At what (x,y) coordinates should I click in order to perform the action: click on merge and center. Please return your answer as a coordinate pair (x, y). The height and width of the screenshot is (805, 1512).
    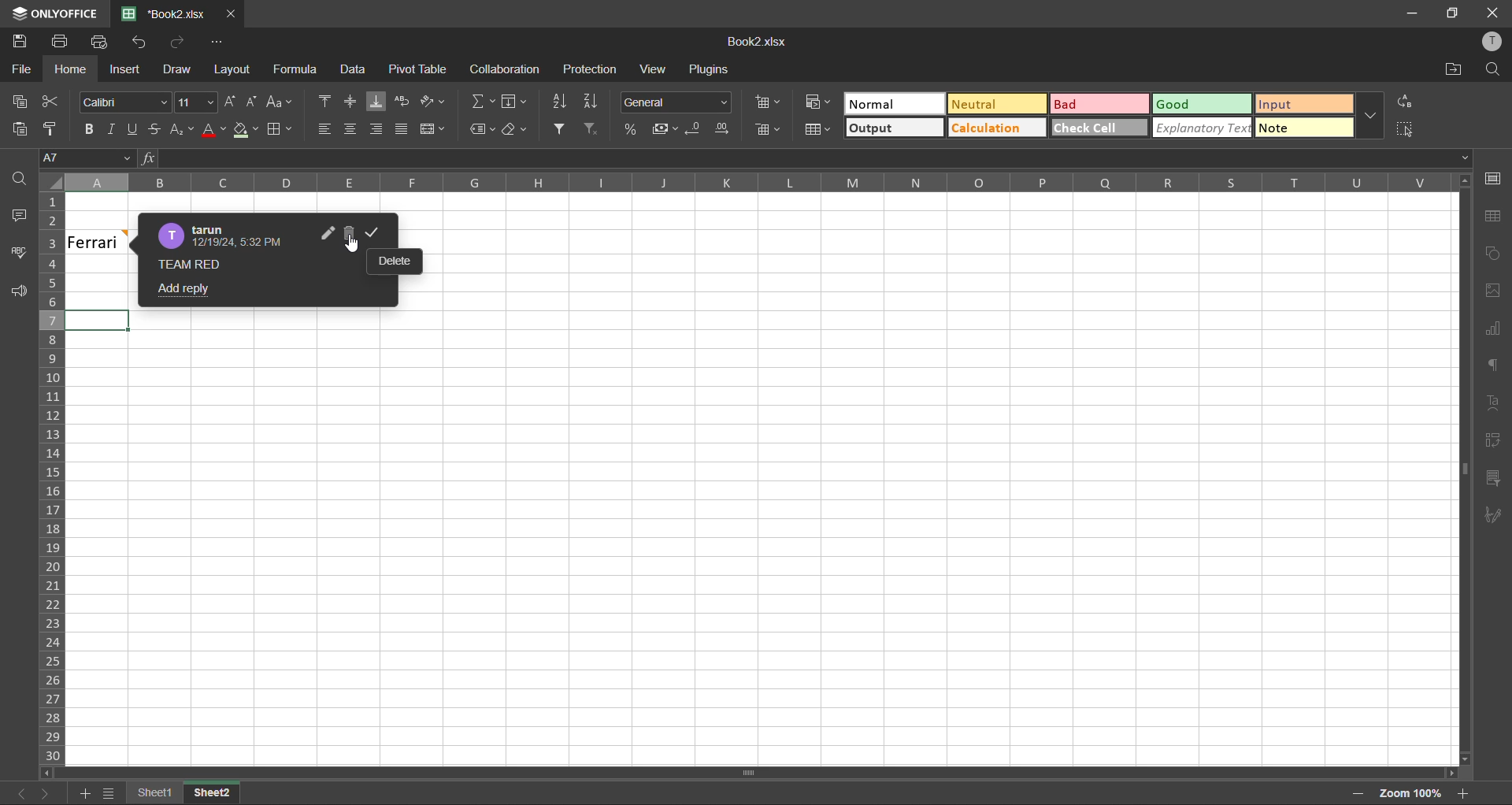
    Looking at the image, I should click on (438, 131).